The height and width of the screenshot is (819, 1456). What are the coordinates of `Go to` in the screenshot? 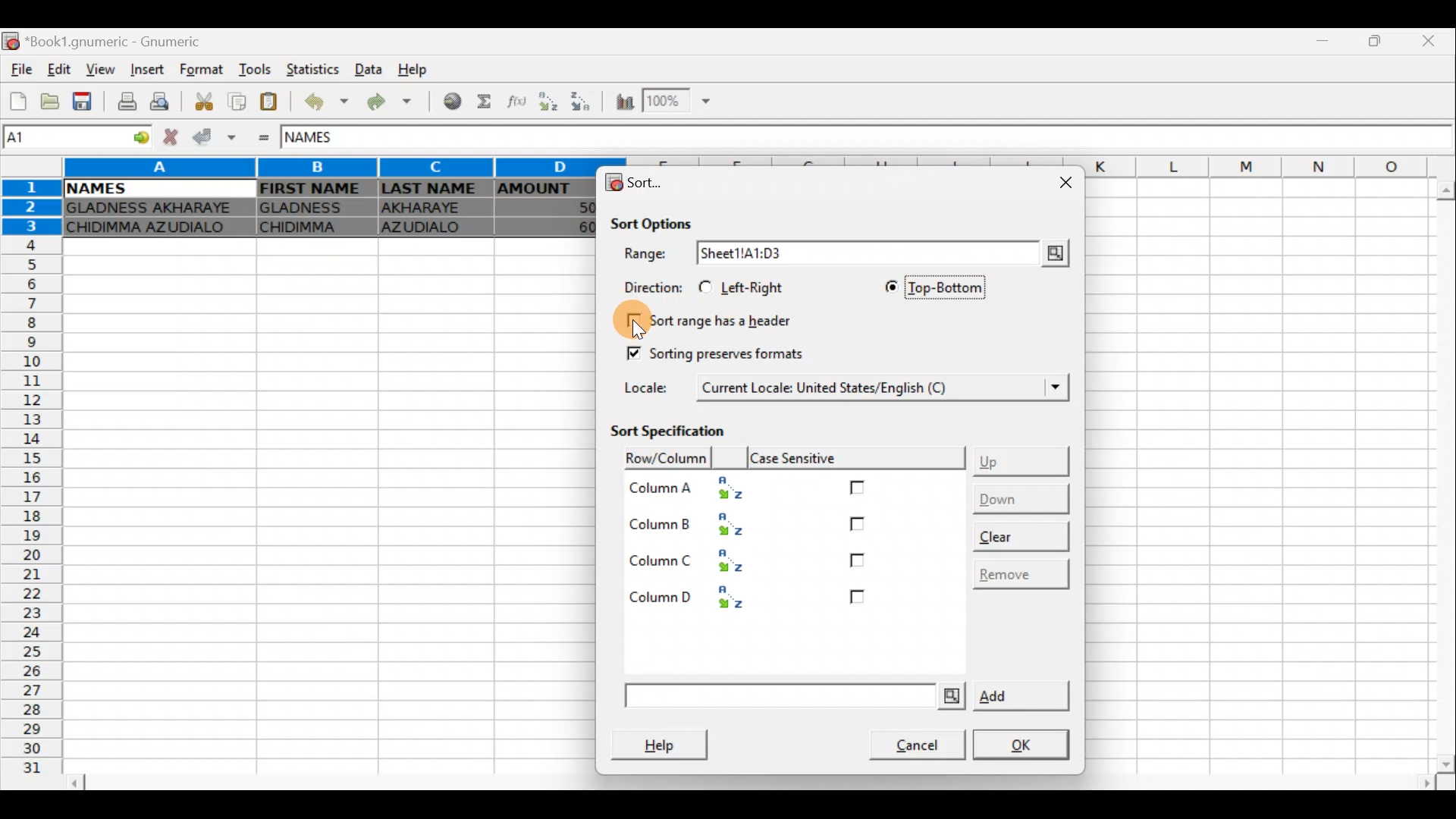 It's located at (136, 139).